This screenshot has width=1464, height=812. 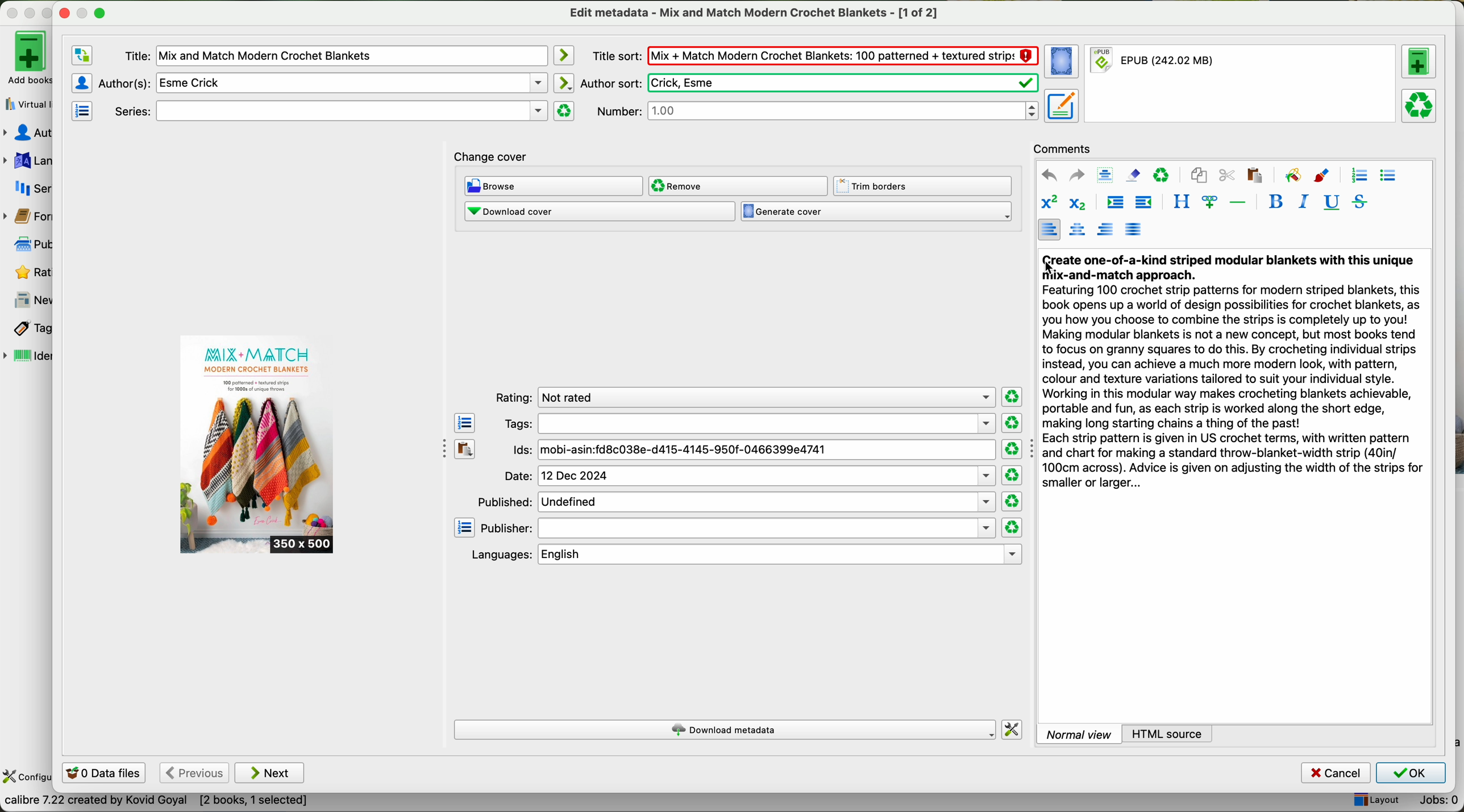 What do you see at coordinates (1227, 176) in the screenshot?
I see `cut` at bounding box center [1227, 176].